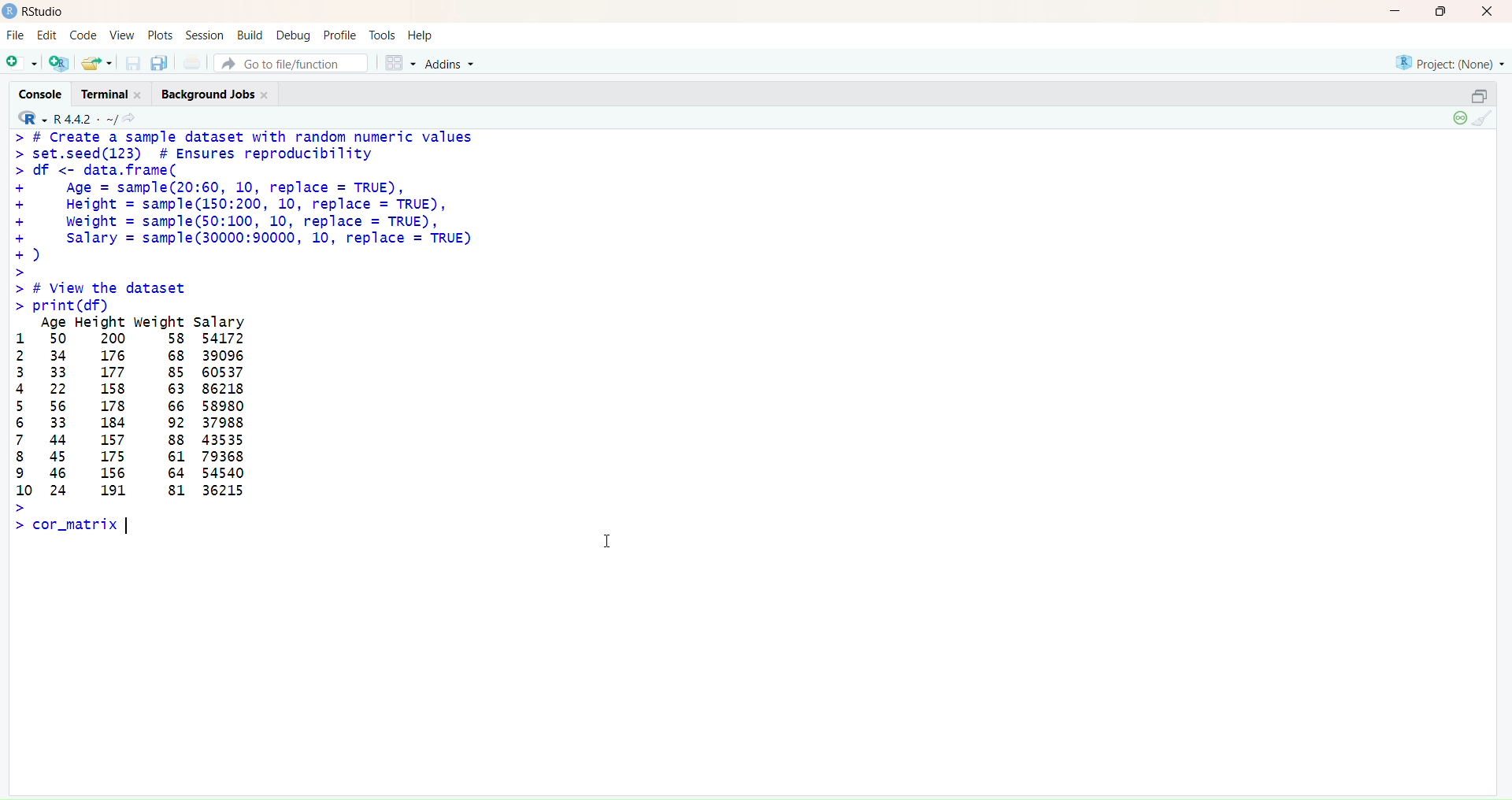  What do you see at coordinates (95, 62) in the screenshot?
I see `Open an existing file (Ctrl + O)` at bounding box center [95, 62].